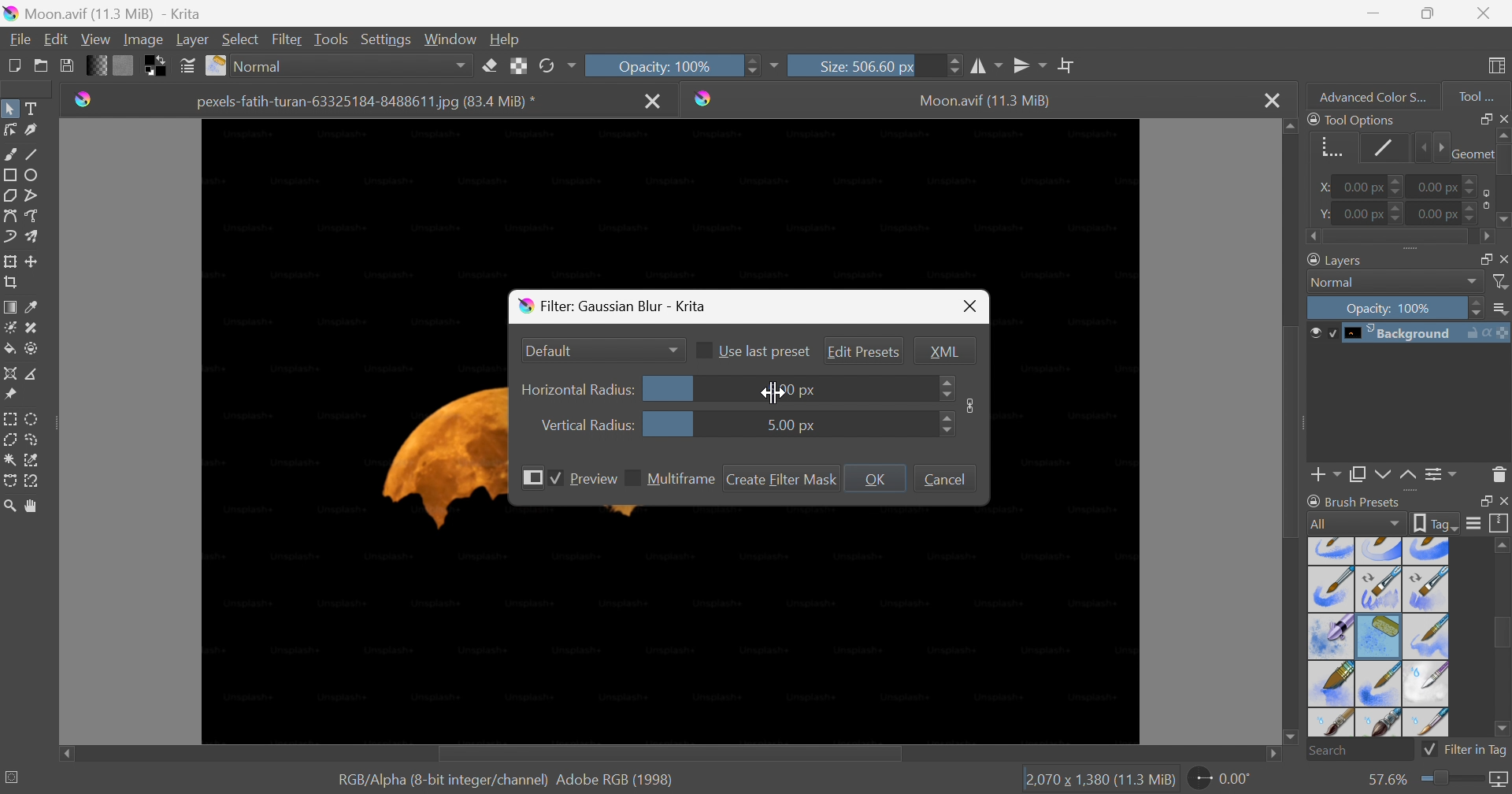  I want to click on Slider, so click(1454, 781).